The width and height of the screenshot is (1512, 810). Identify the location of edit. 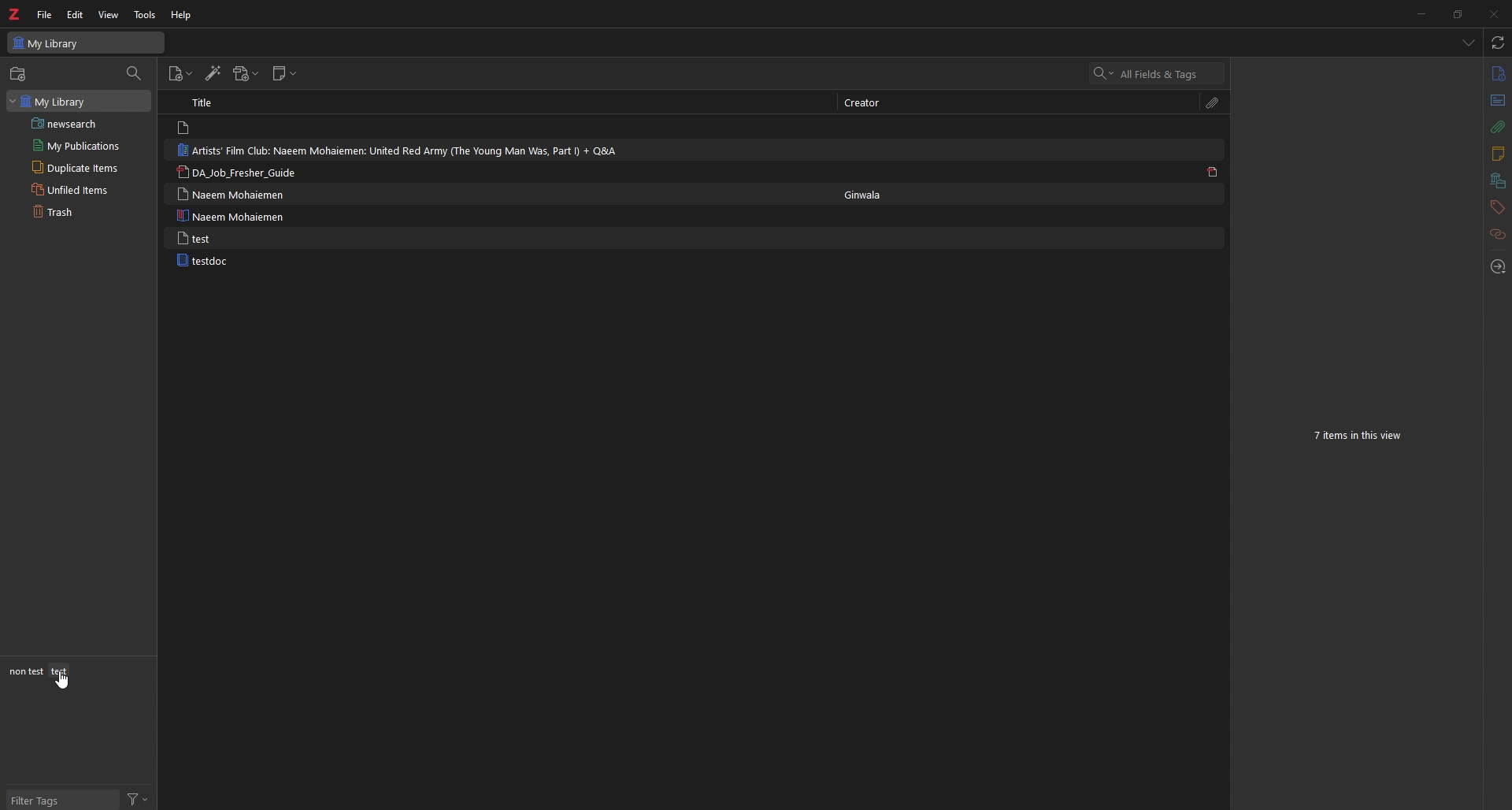
(76, 15).